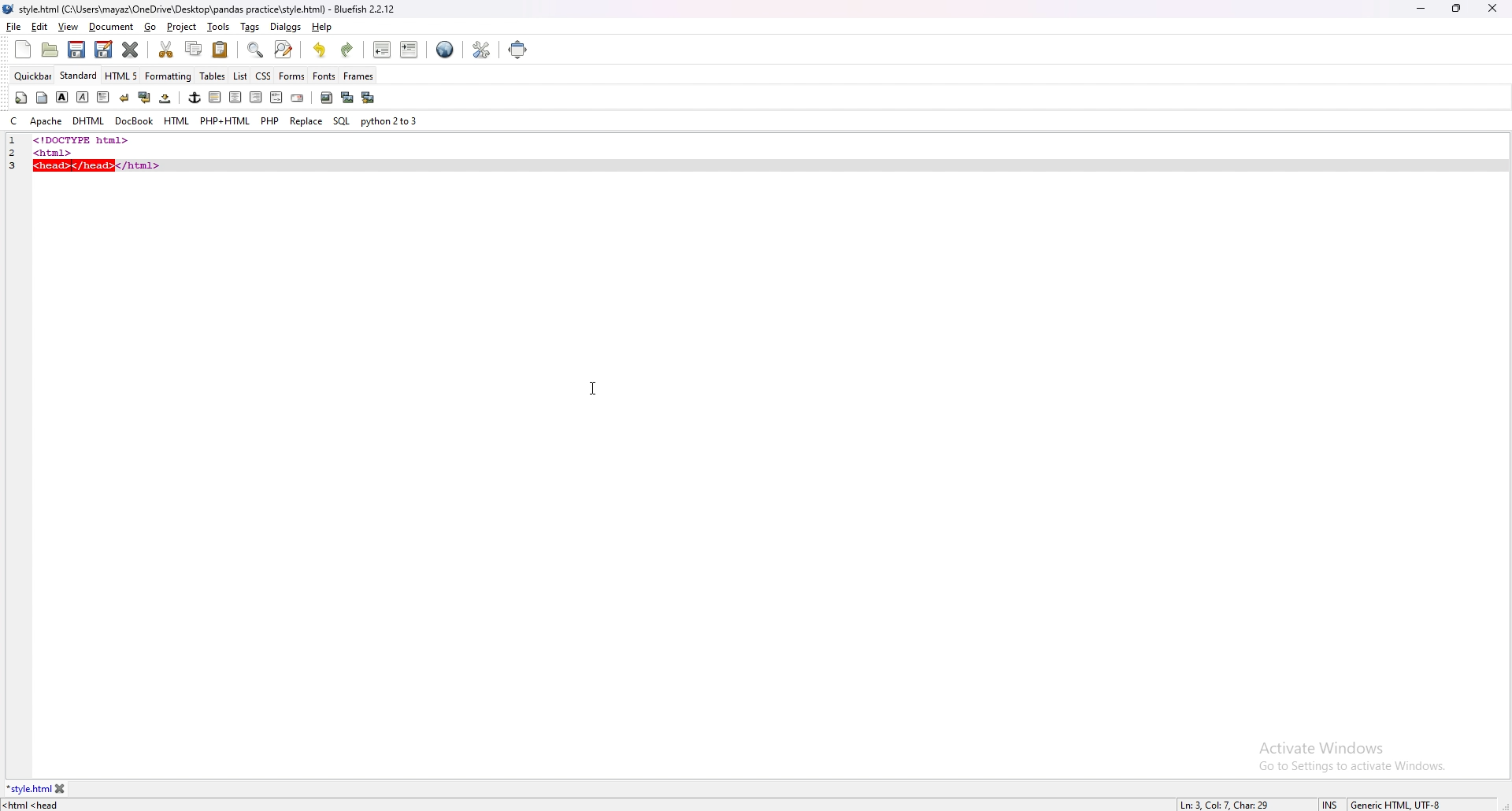 The height and width of the screenshot is (811, 1512). I want to click on quickbar, so click(34, 76).